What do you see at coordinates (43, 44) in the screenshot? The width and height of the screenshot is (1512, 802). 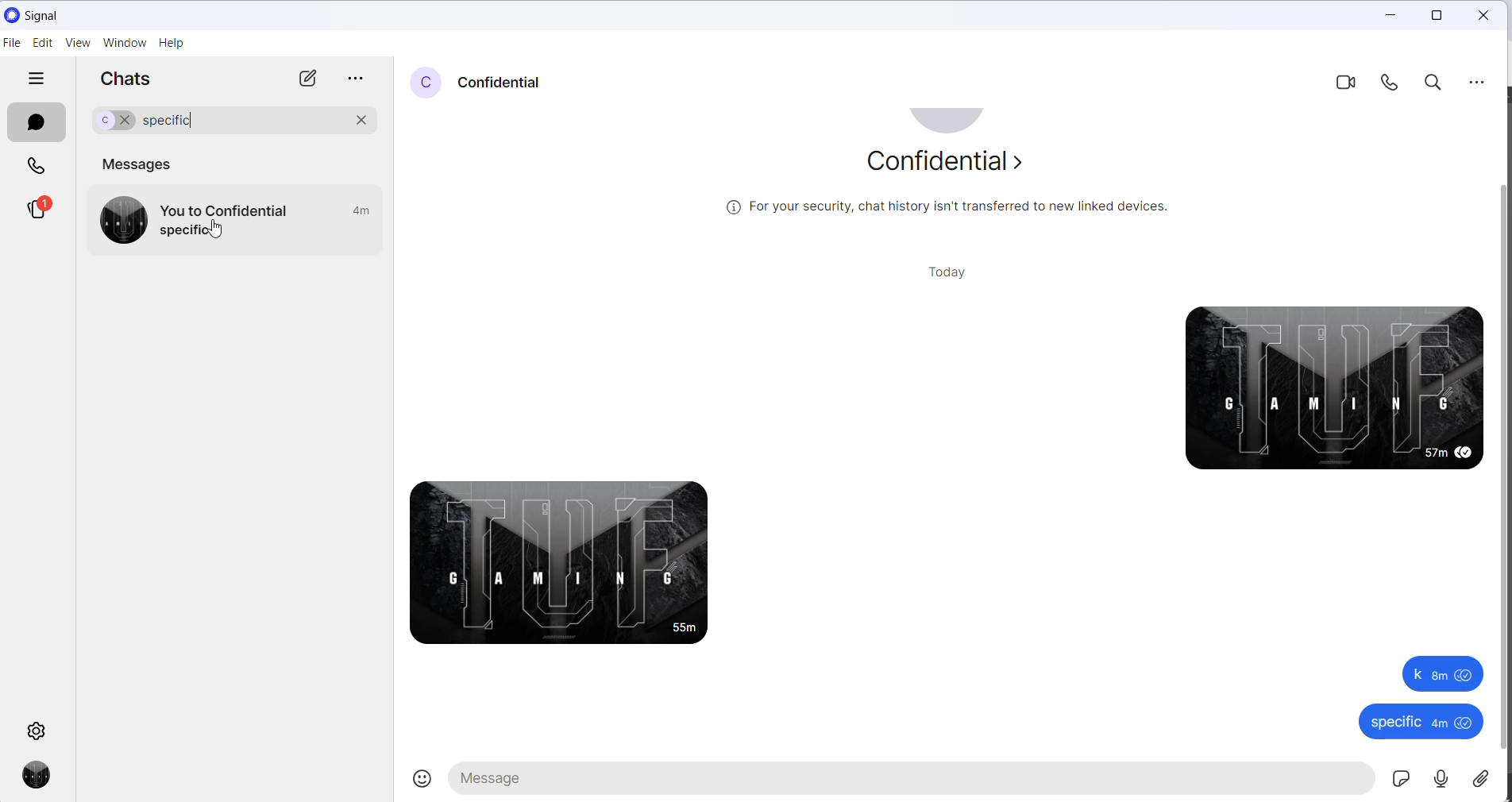 I see `edit` at bounding box center [43, 44].